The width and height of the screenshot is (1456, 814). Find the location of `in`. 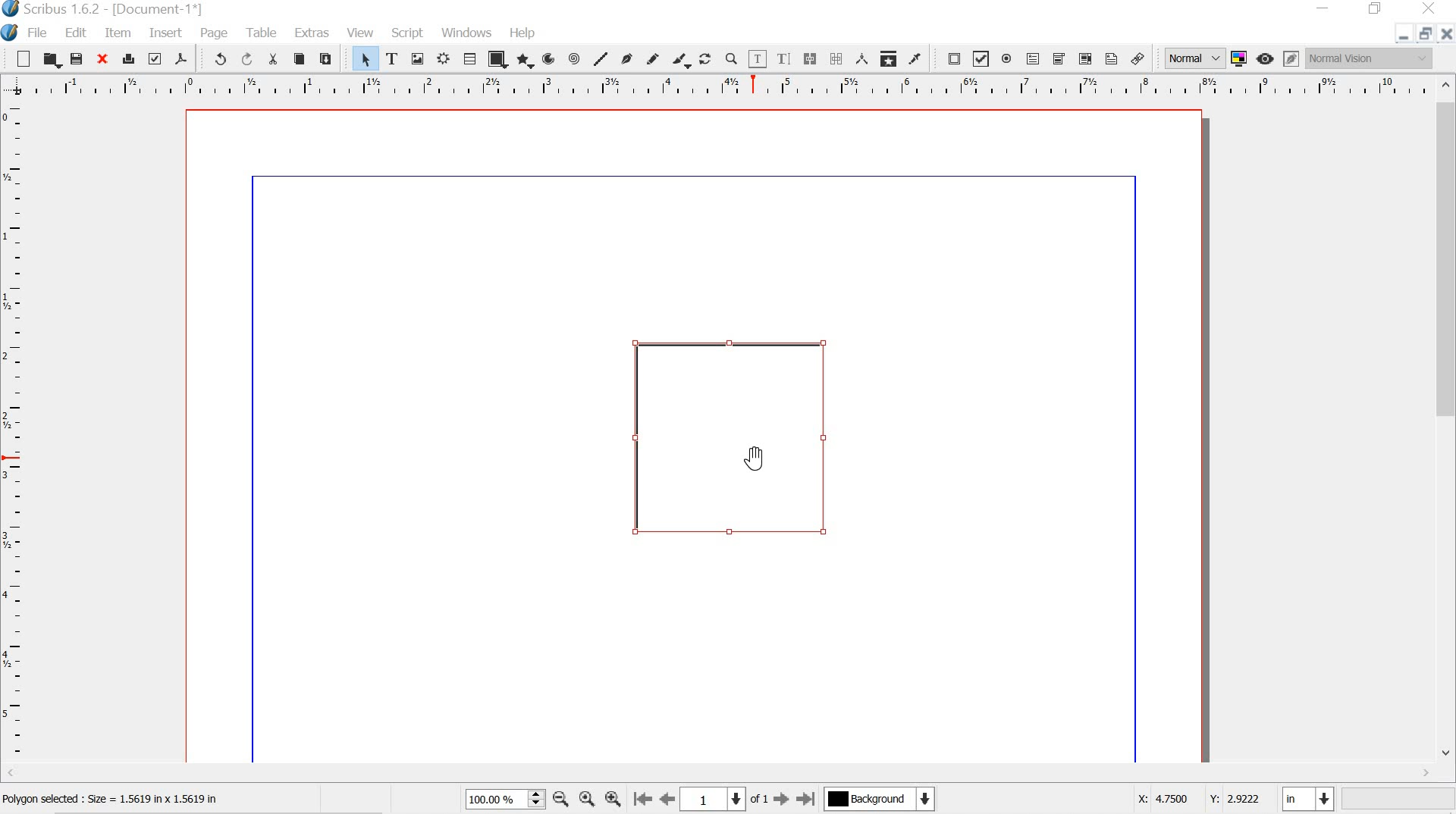

in is located at coordinates (1309, 799).